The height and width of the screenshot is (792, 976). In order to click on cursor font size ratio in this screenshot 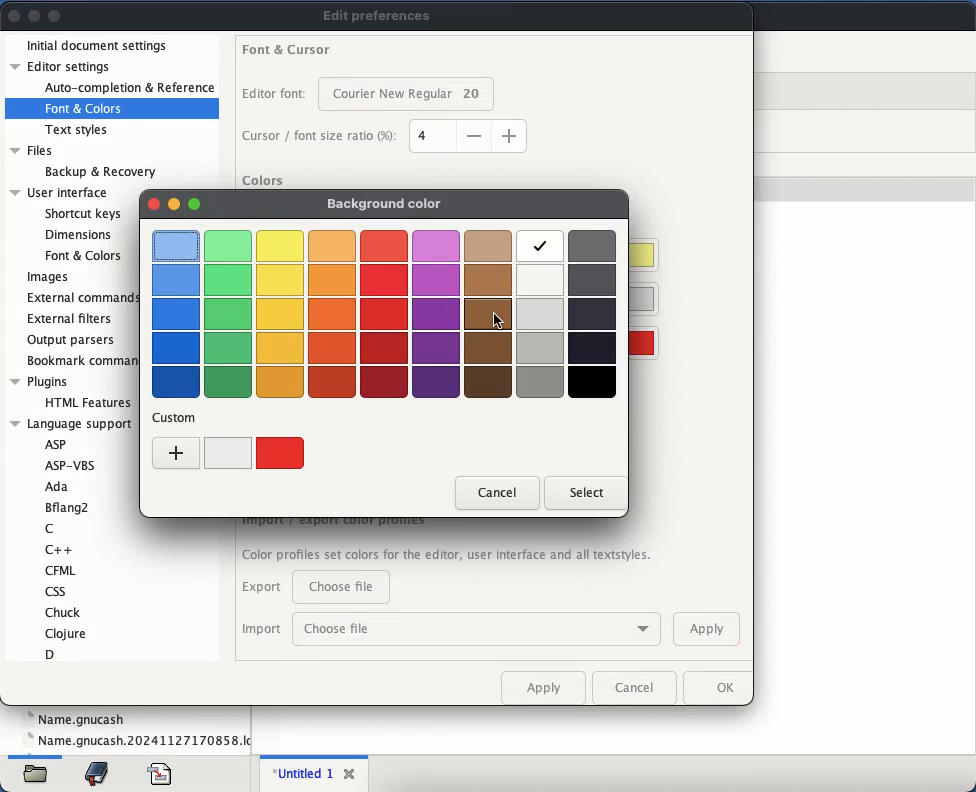, I will do `click(323, 137)`.